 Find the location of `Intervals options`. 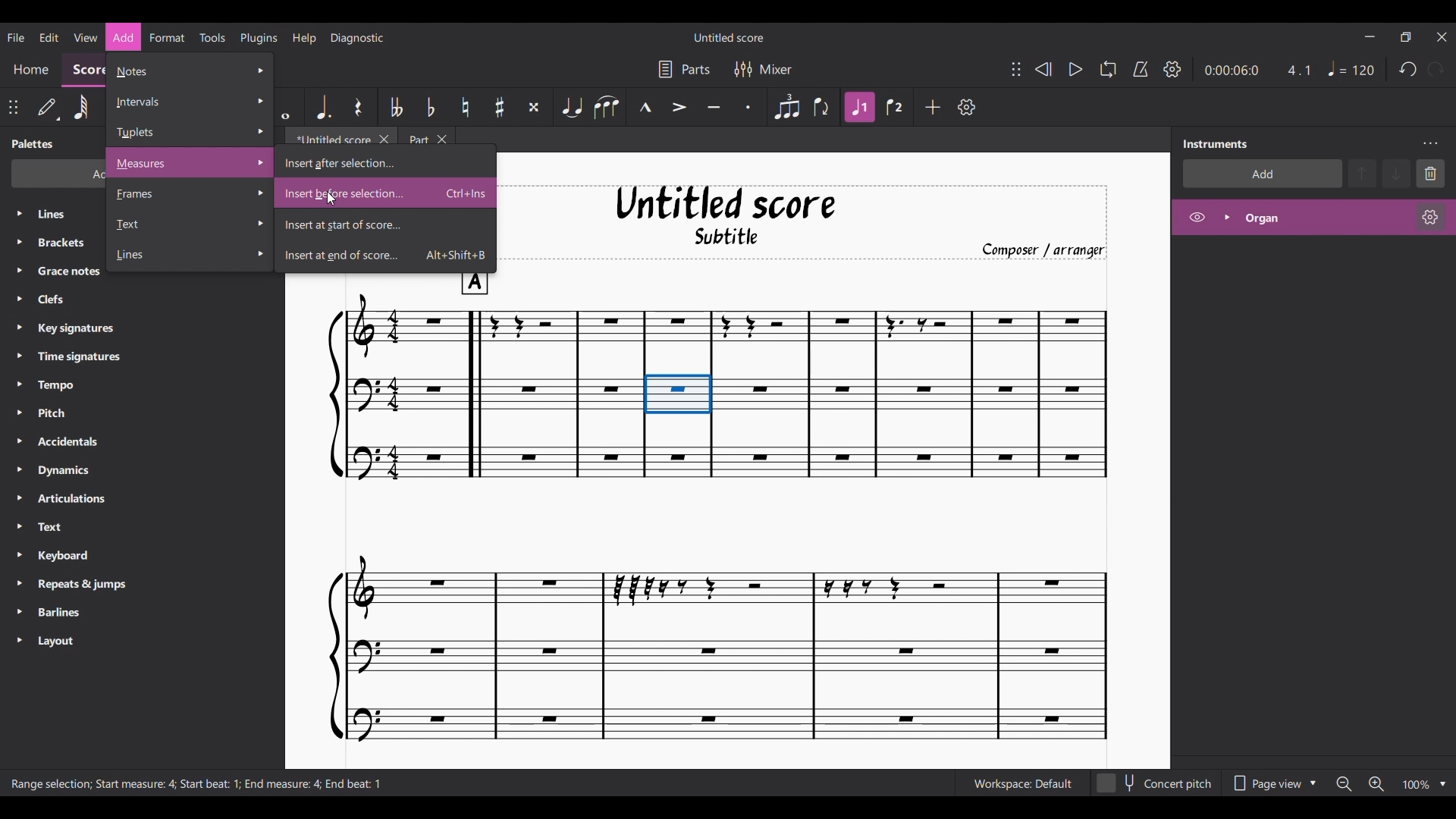

Intervals options is located at coordinates (189, 101).